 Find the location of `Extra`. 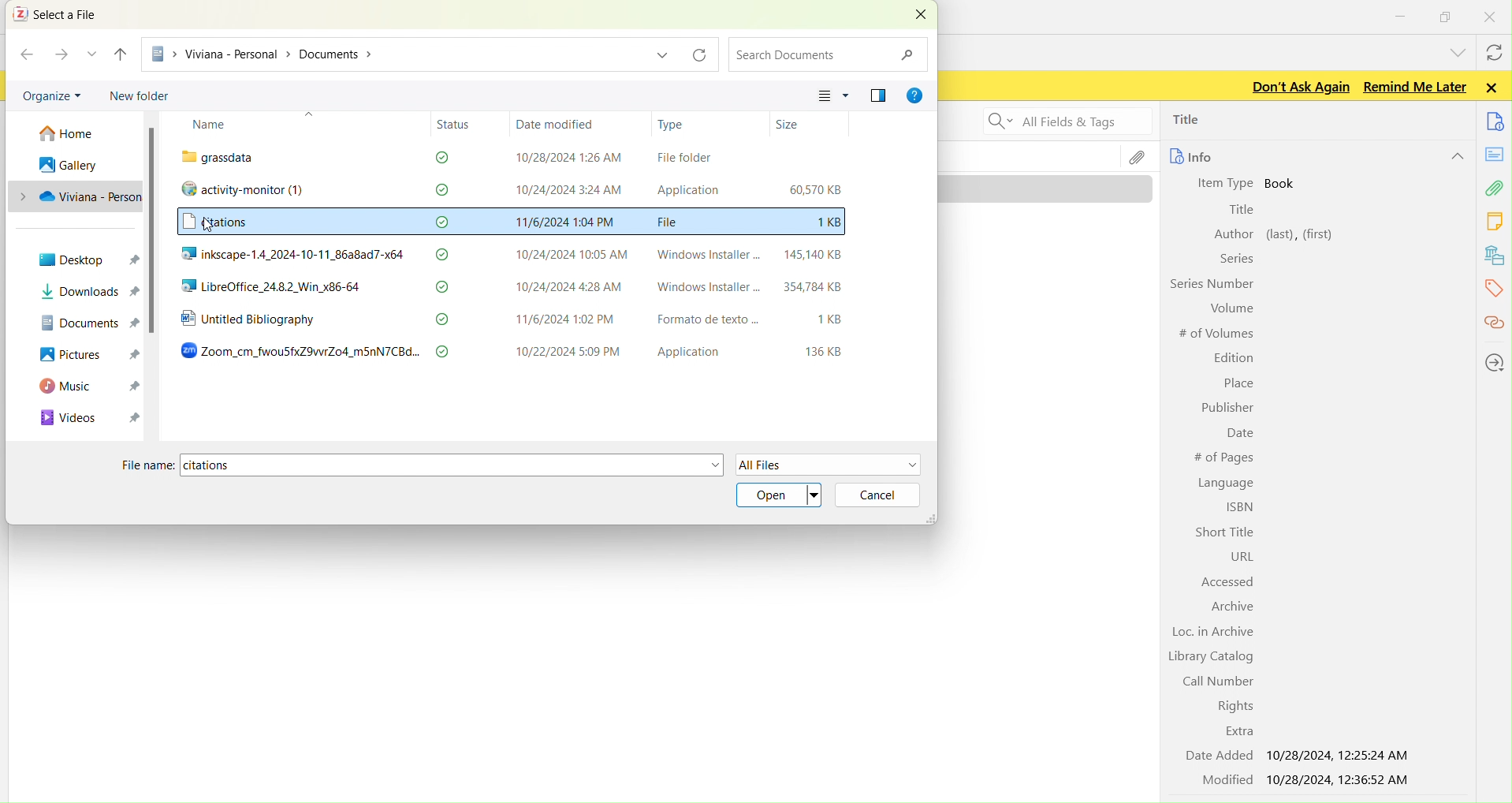

Extra is located at coordinates (1234, 731).